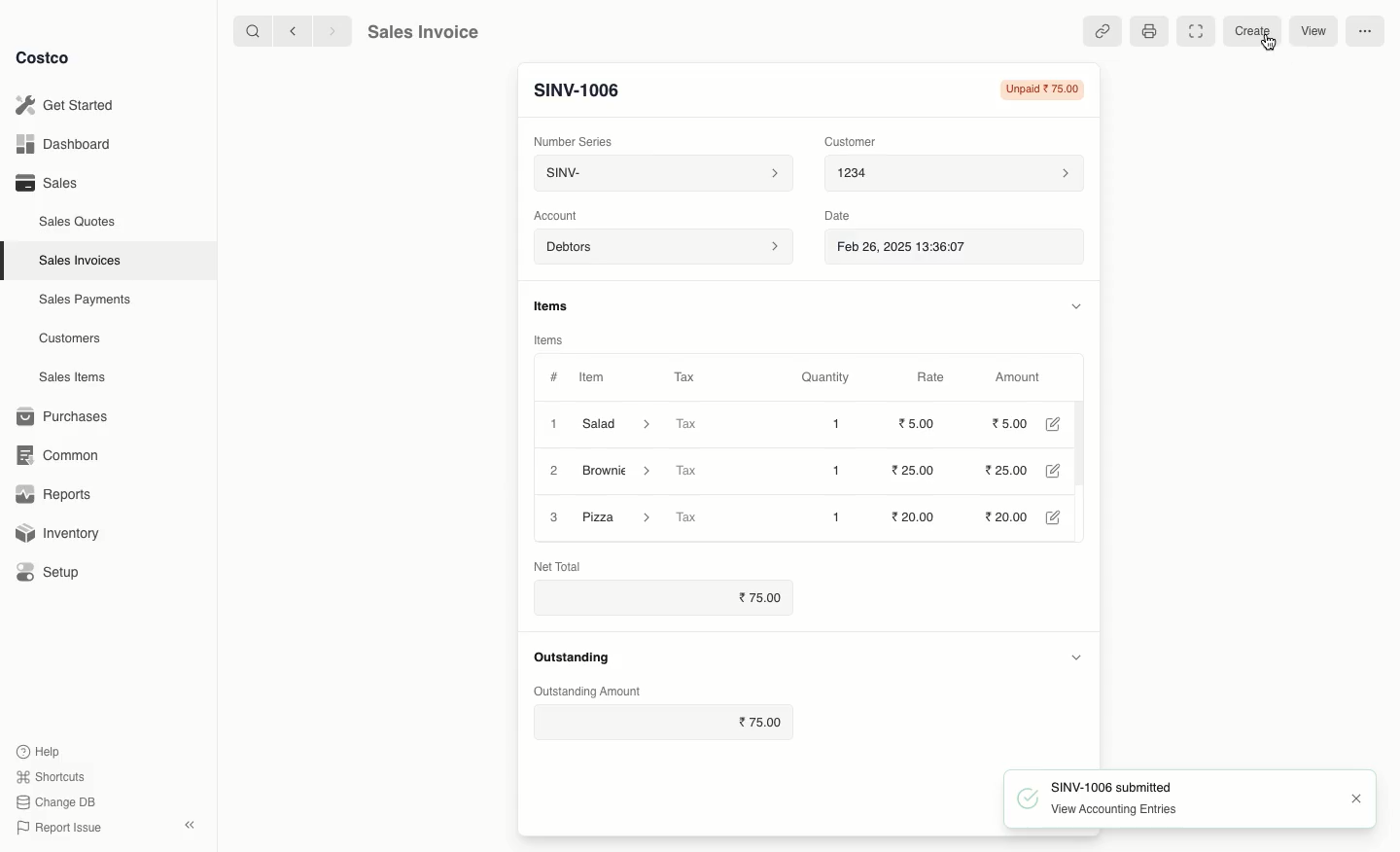 Image resolution: width=1400 pixels, height=852 pixels. I want to click on Shortcuts, so click(50, 777).